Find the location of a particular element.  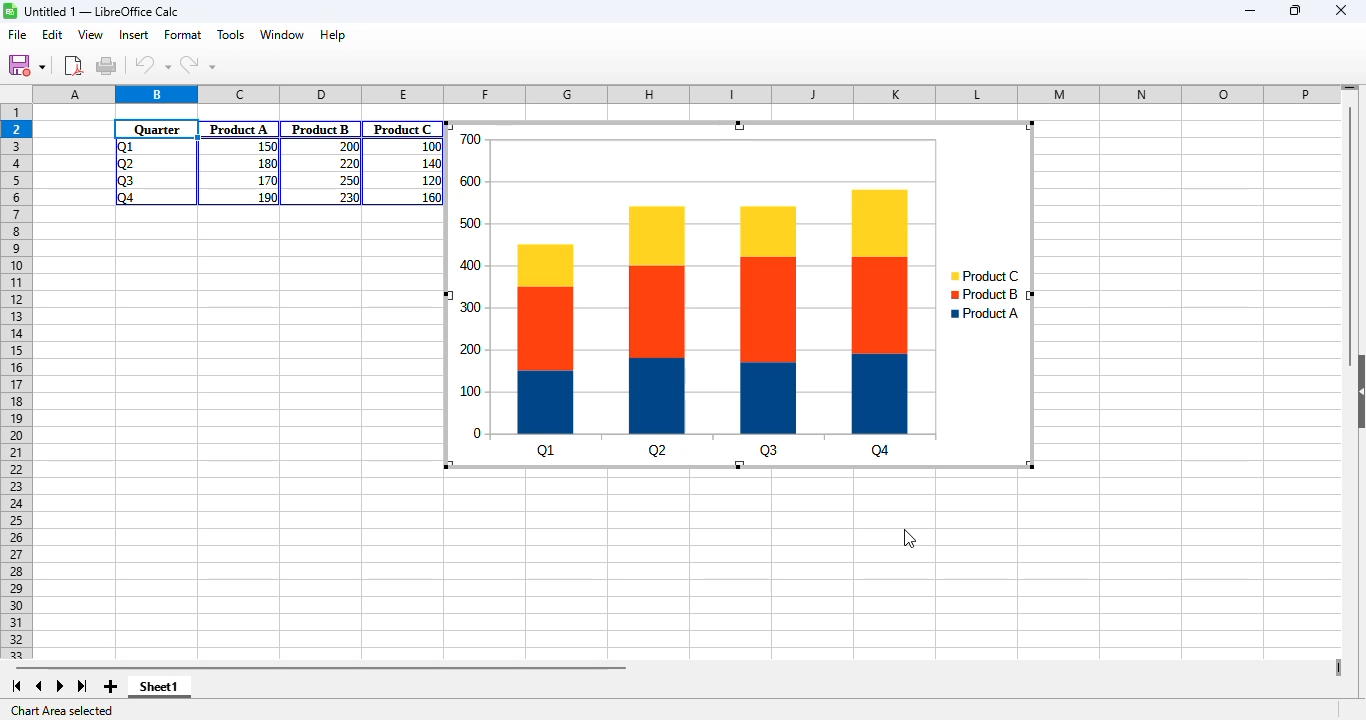

export directly as PDF is located at coordinates (73, 65).